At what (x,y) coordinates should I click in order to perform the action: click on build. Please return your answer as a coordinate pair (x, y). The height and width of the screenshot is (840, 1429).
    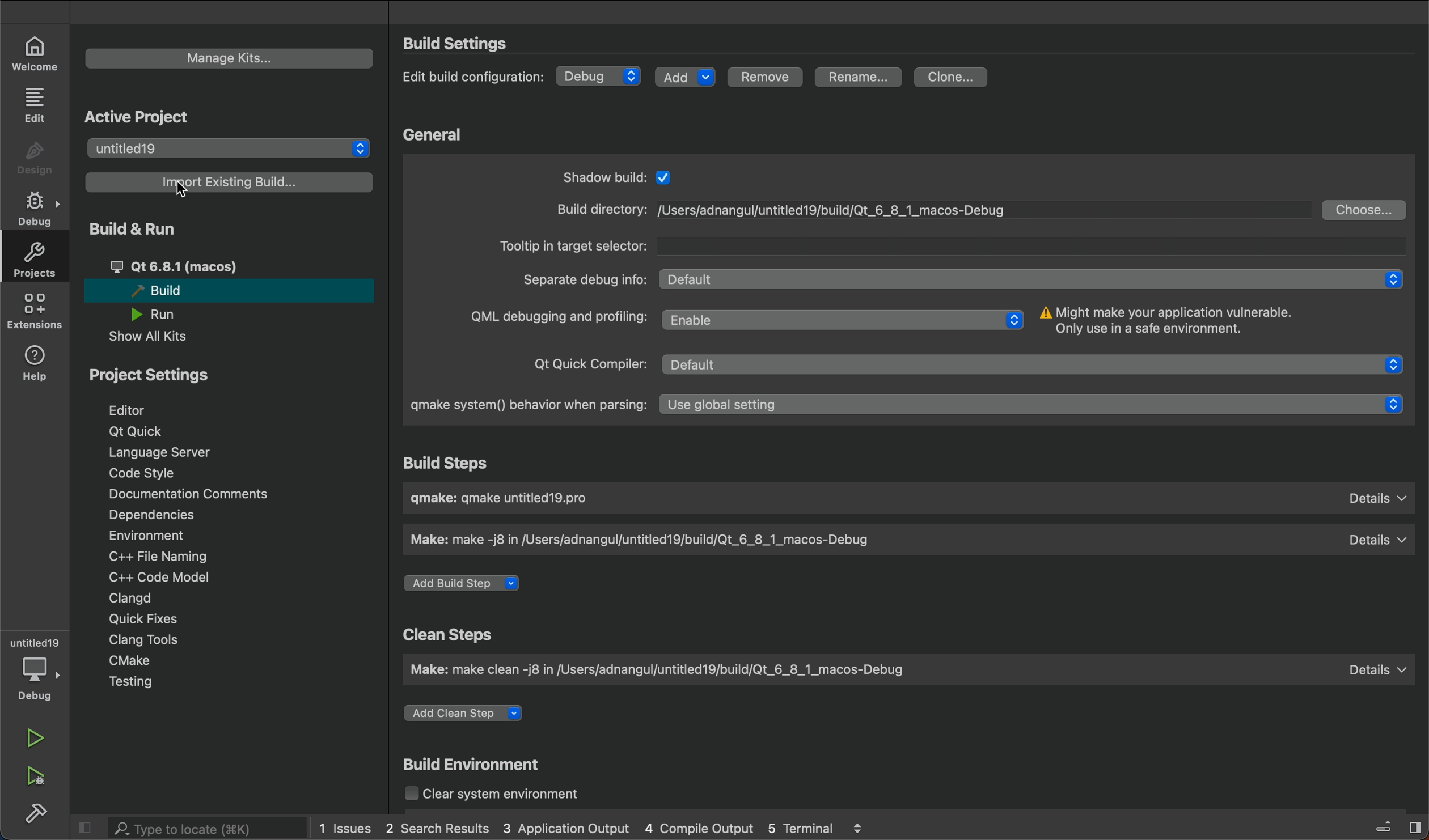
    Looking at the image, I should click on (37, 811).